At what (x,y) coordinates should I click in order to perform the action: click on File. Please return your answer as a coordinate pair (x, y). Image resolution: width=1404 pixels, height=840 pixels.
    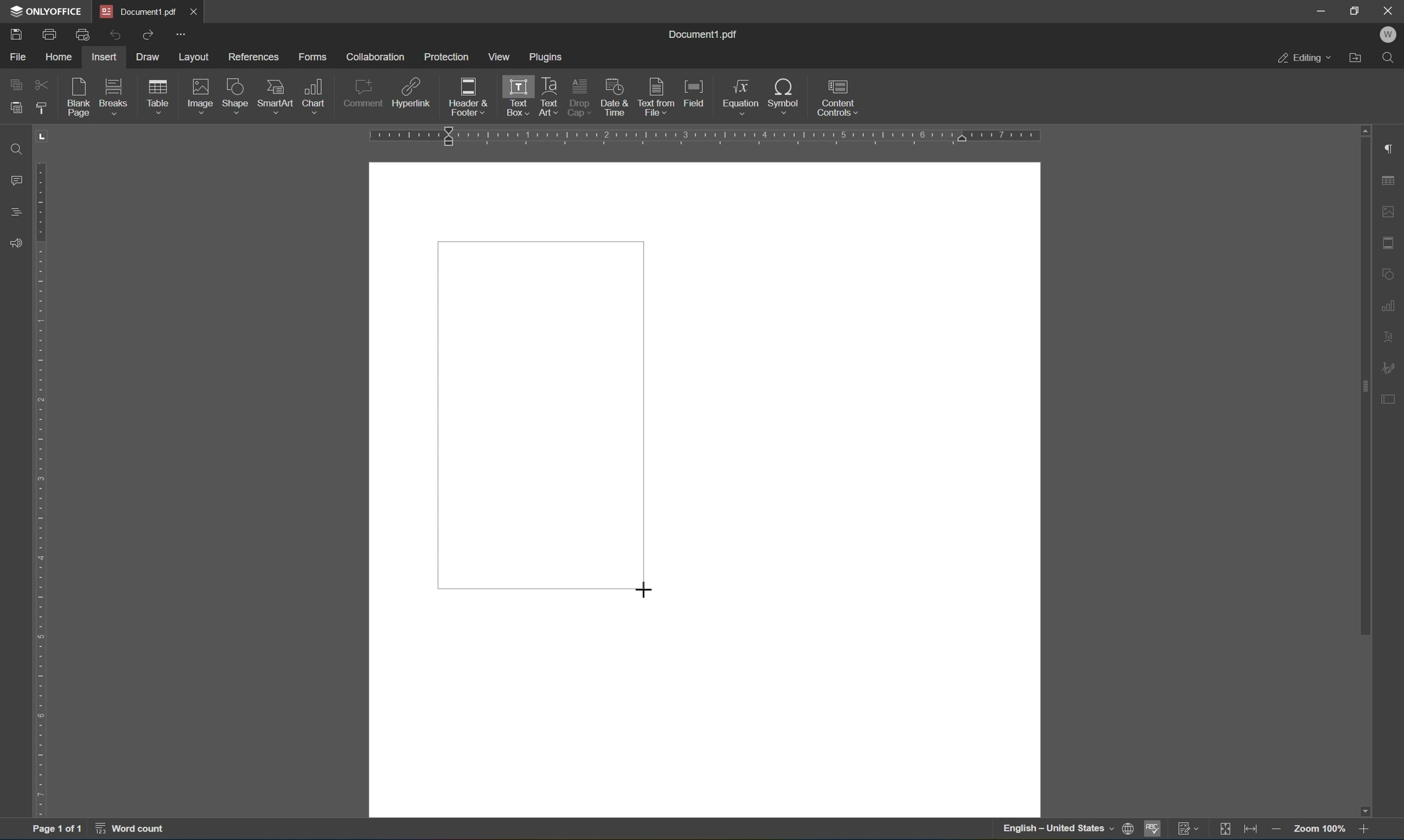
    Looking at the image, I should click on (19, 58).